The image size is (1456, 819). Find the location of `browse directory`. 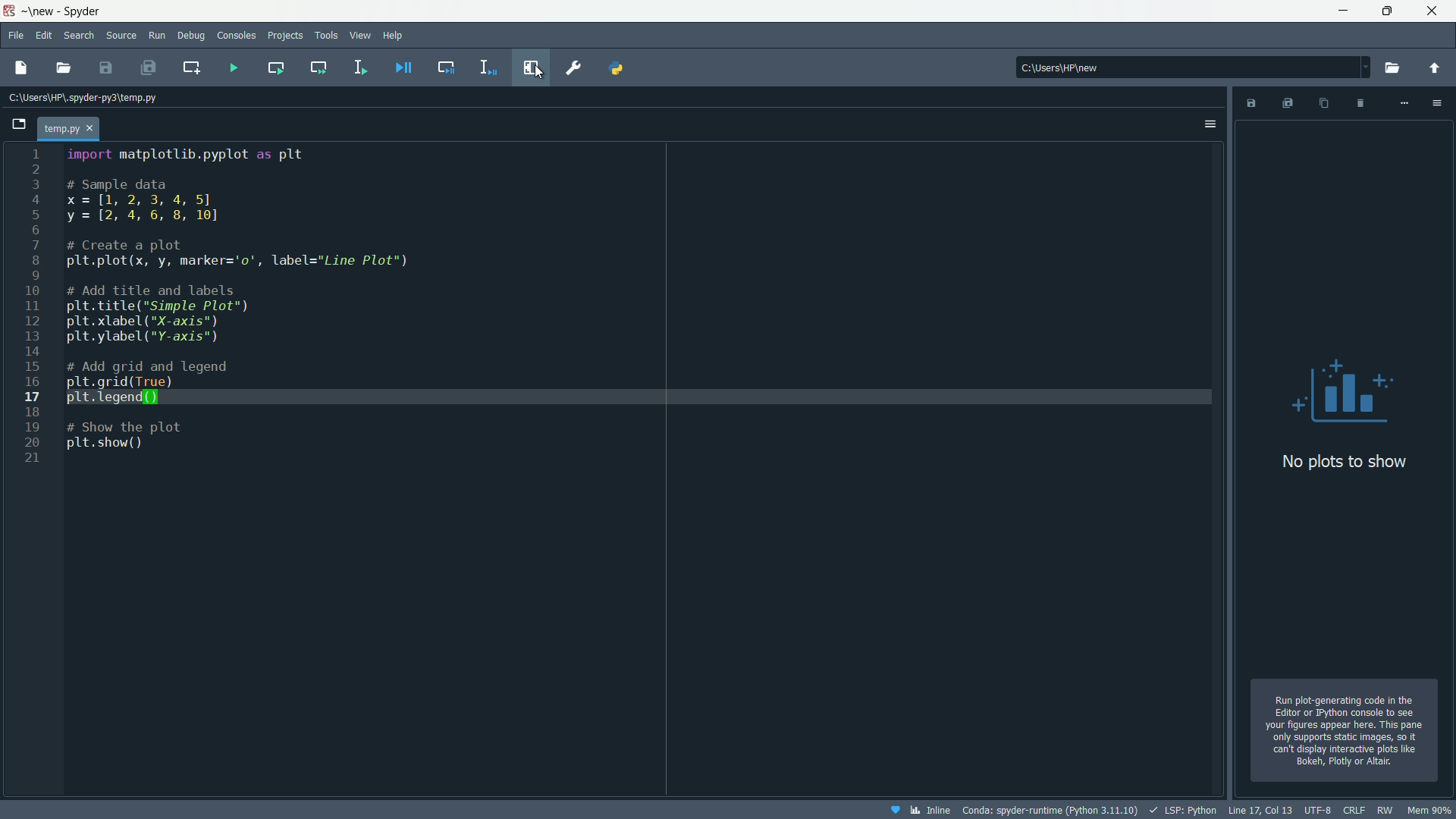

browse directory is located at coordinates (1392, 67).